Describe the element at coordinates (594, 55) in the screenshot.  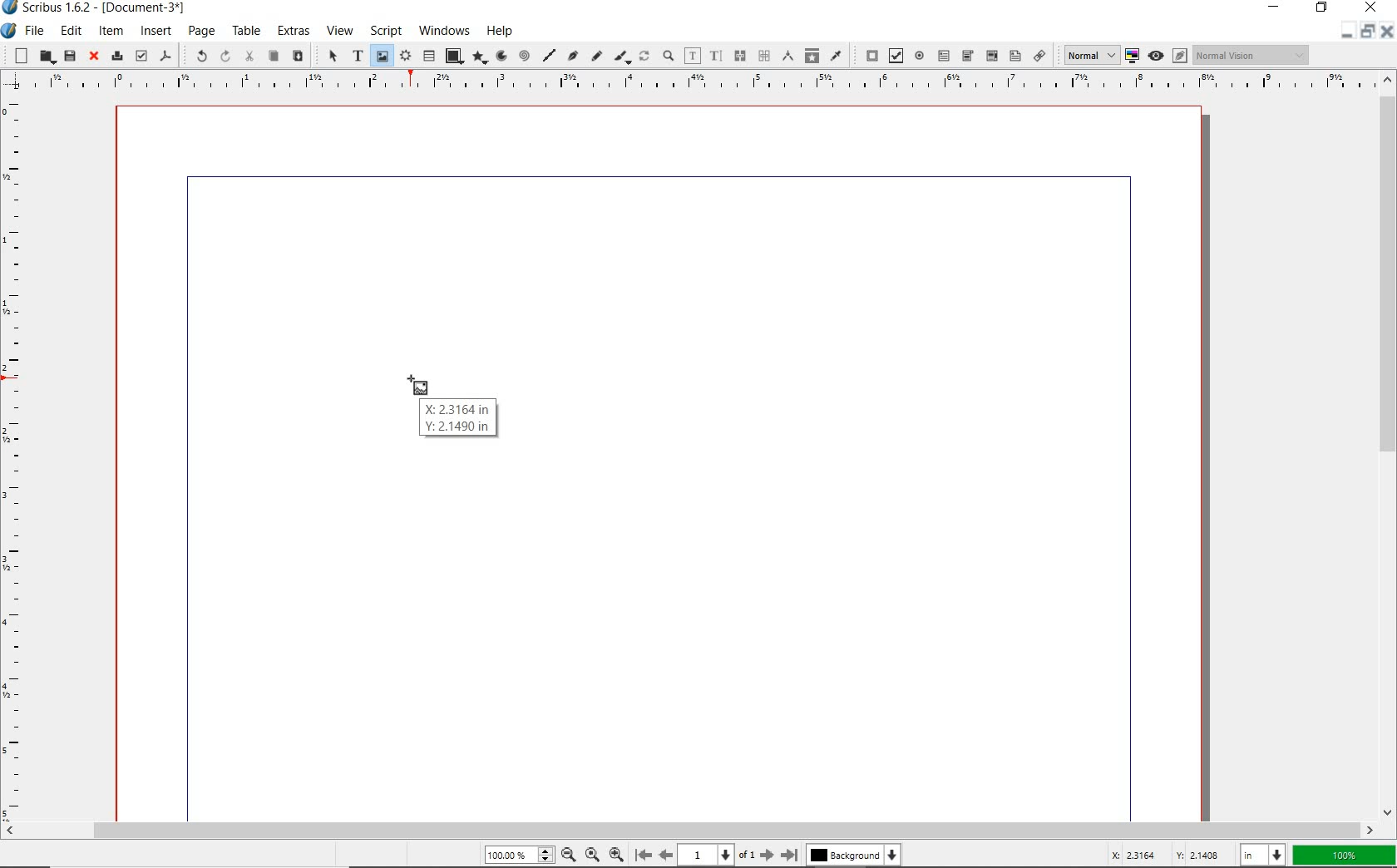
I see `freehand line` at that location.